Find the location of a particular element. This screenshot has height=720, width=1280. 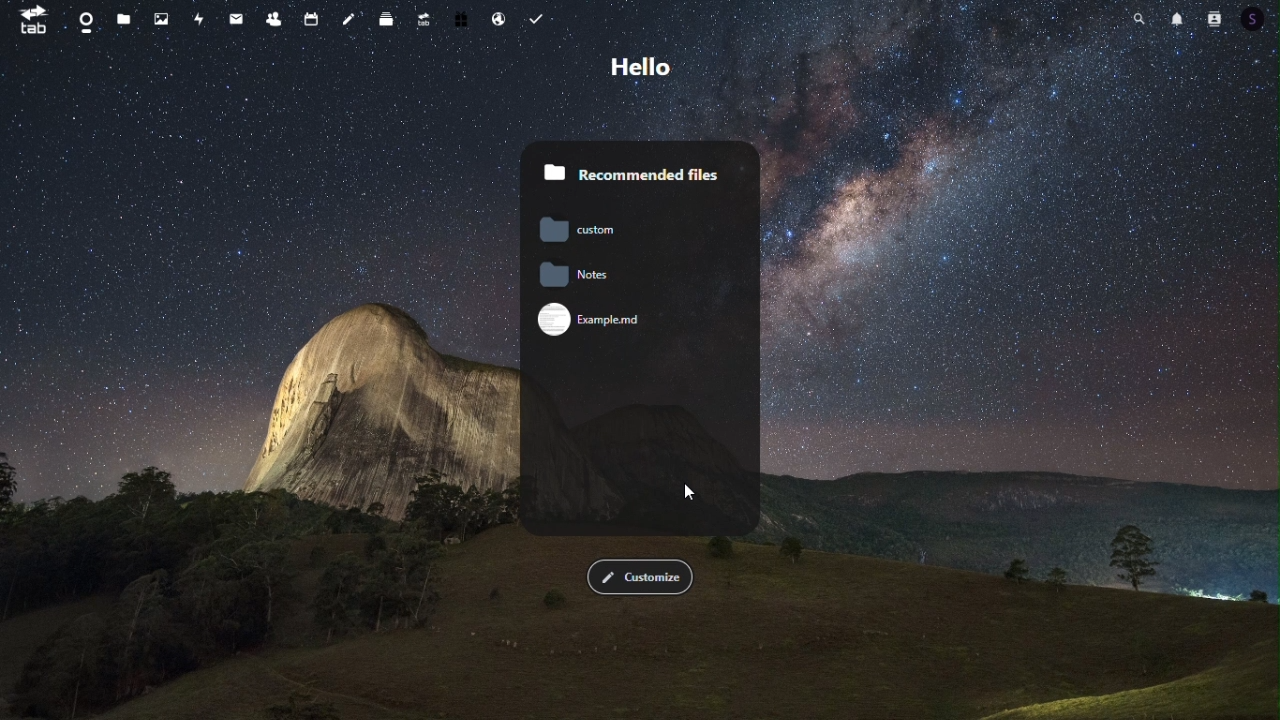

photos is located at coordinates (156, 19).